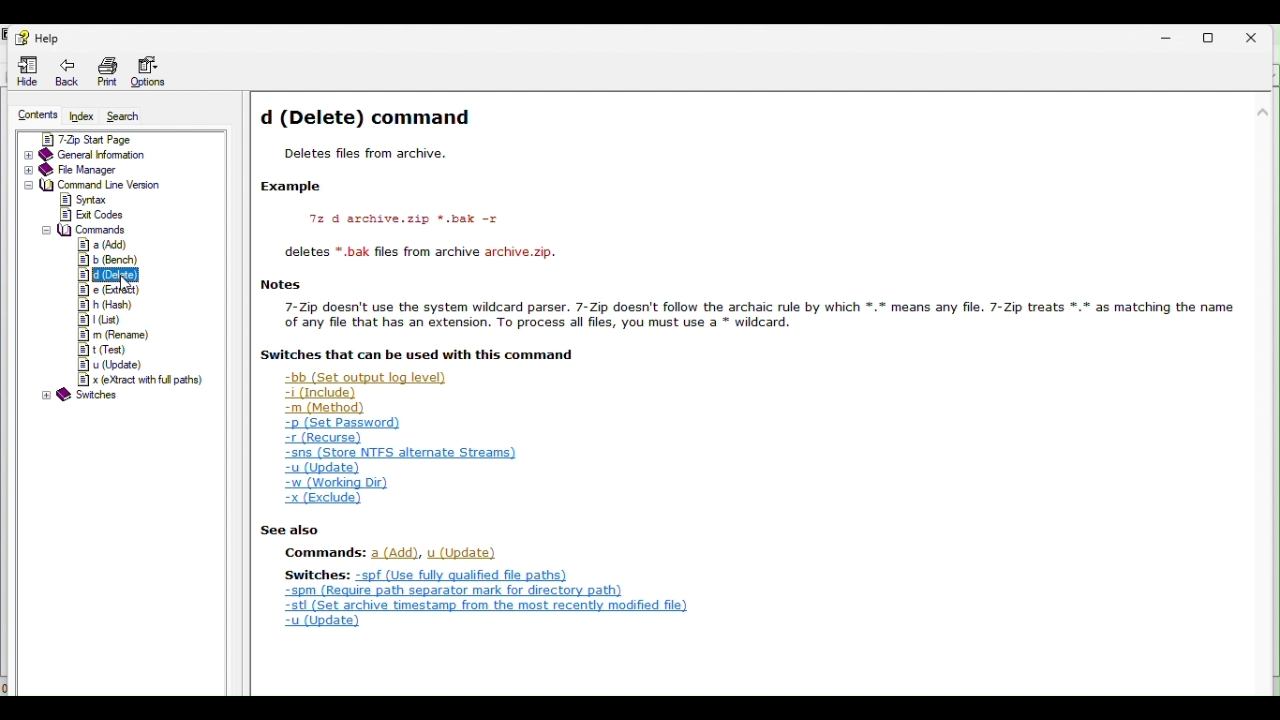 This screenshot has width=1280, height=720. Describe the element at coordinates (64, 70) in the screenshot. I see `Back` at that location.